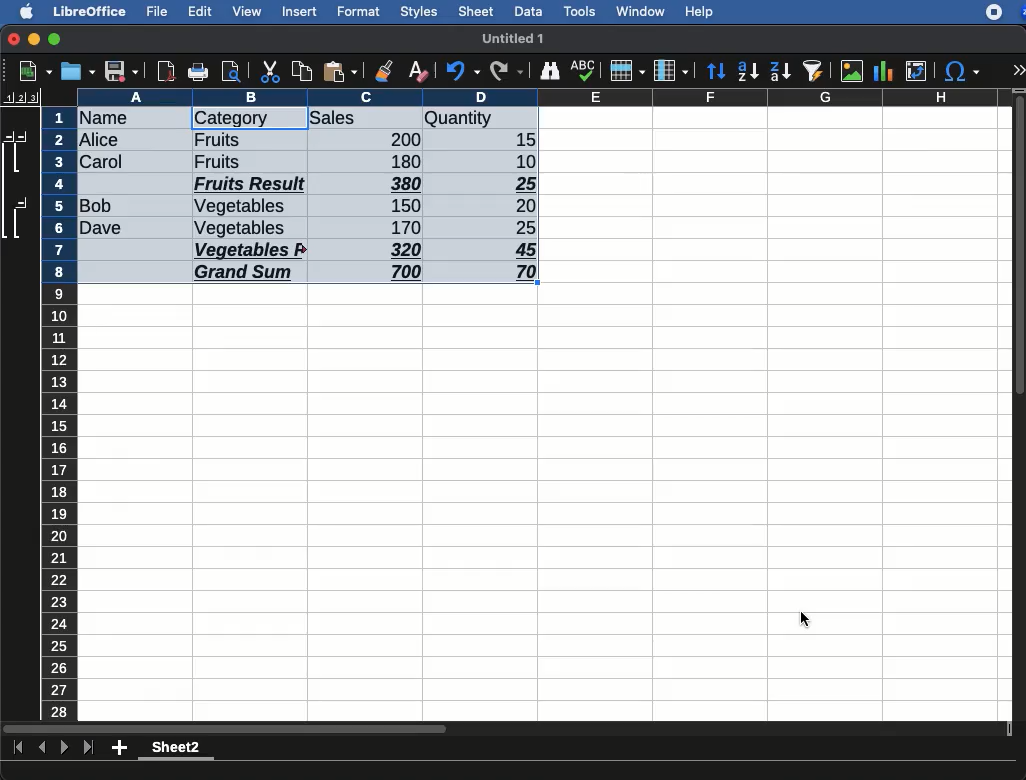 This screenshot has width=1026, height=780. I want to click on insert, so click(300, 11).